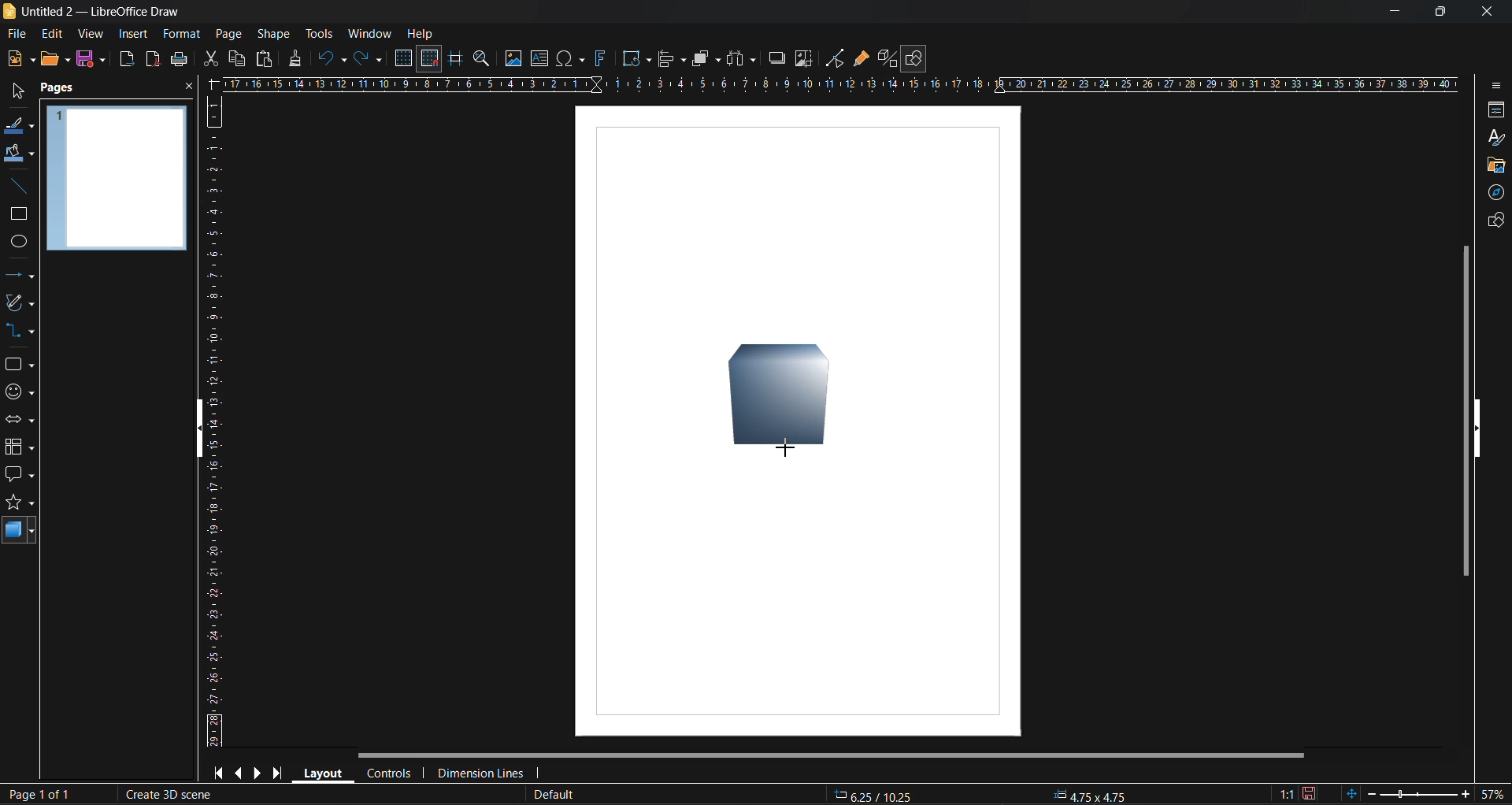 This screenshot has width=1512, height=805. Describe the element at coordinates (1496, 165) in the screenshot. I see `gallery` at that location.